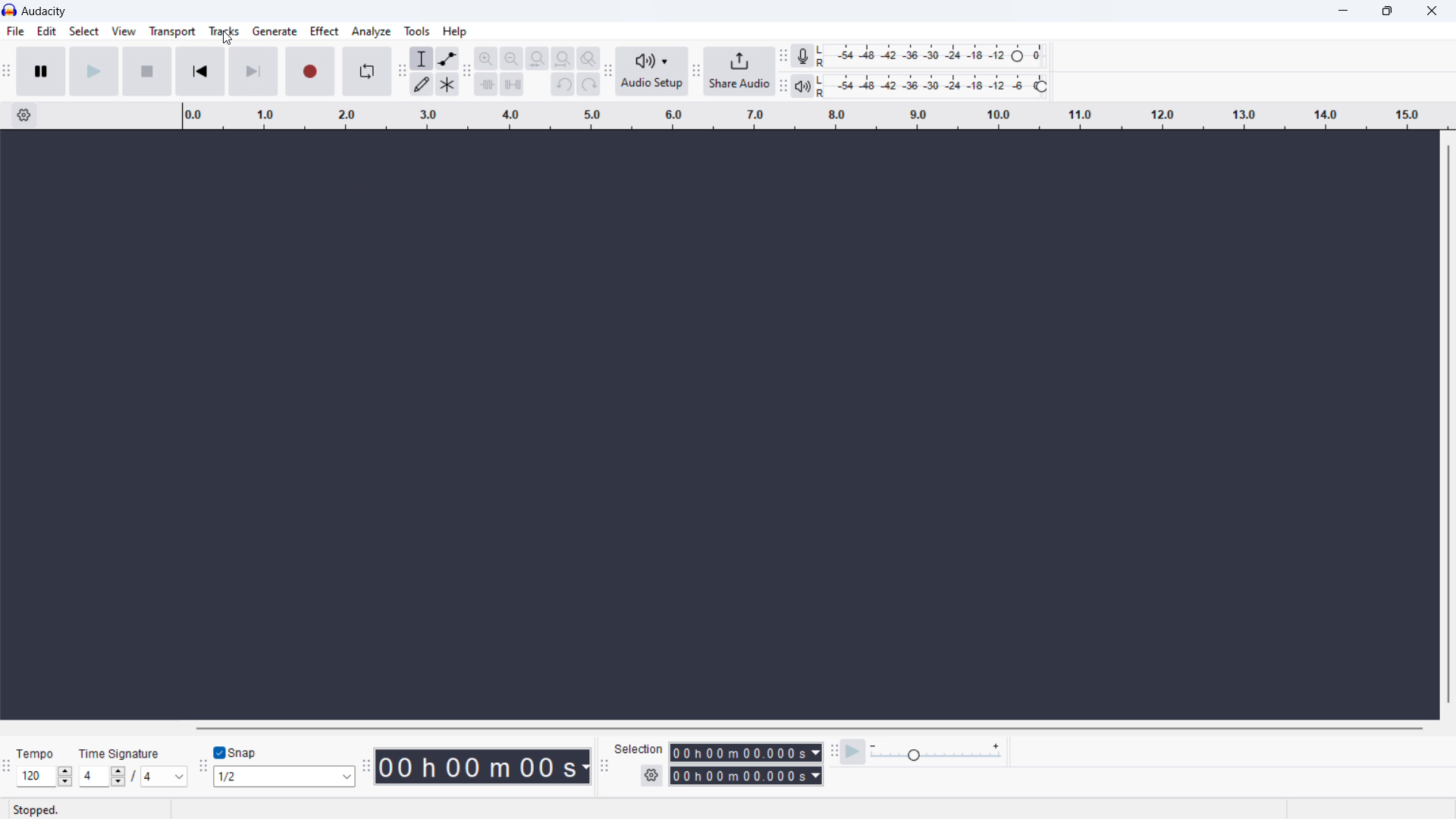  What do you see at coordinates (696, 72) in the screenshot?
I see `share audio toolbar` at bounding box center [696, 72].